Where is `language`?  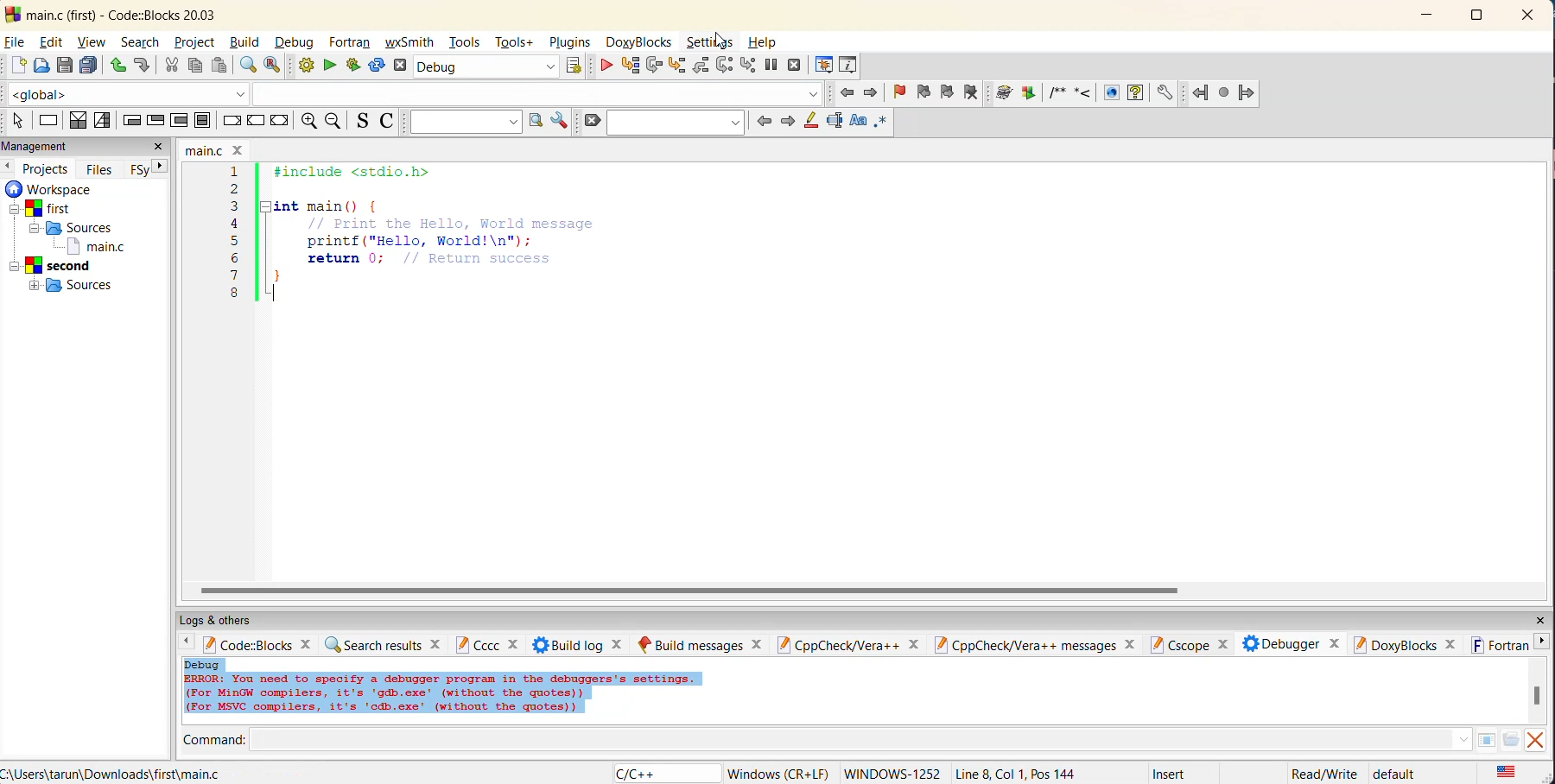 language is located at coordinates (637, 774).